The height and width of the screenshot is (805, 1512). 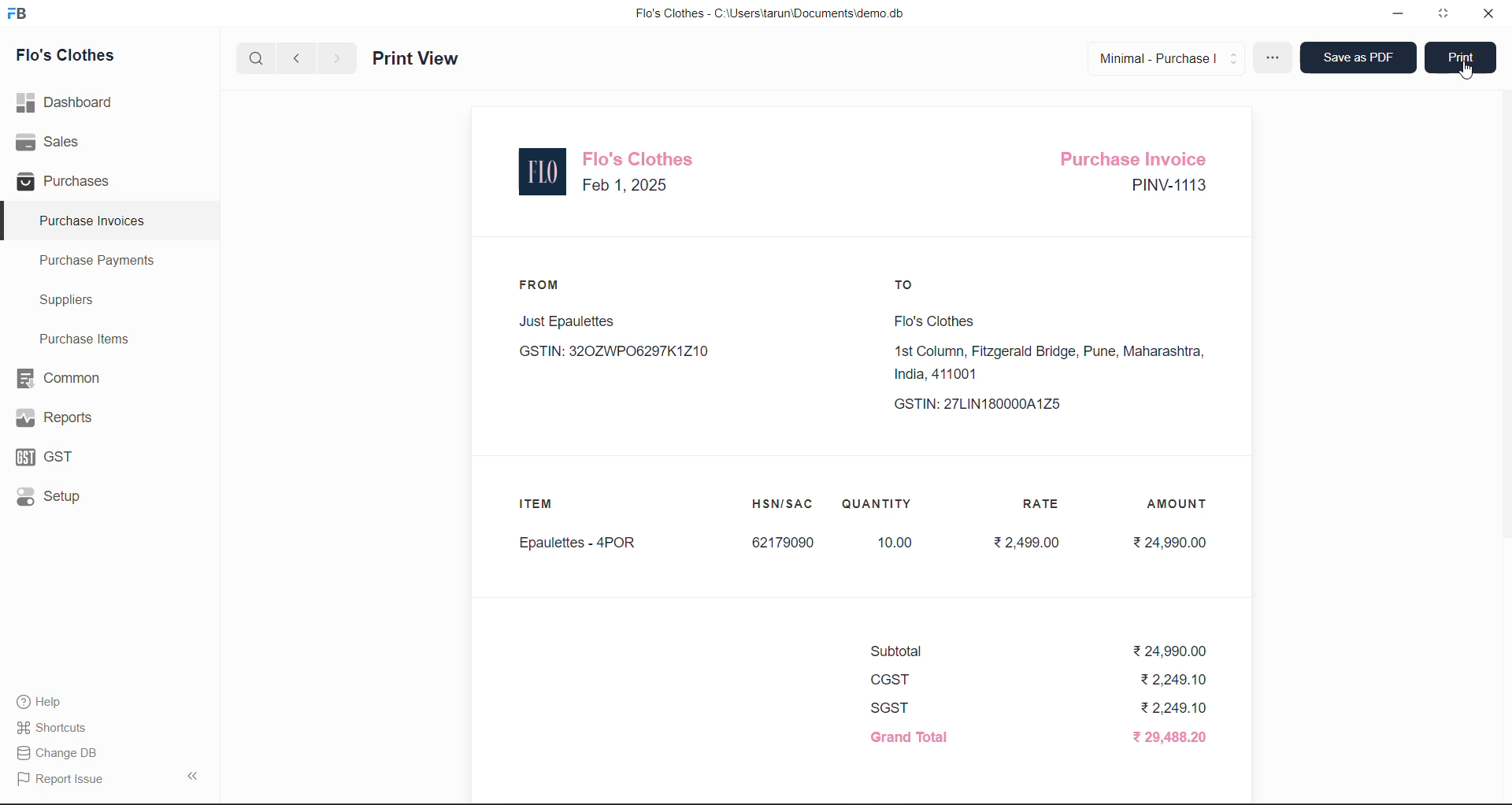 What do you see at coordinates (769, 15) in the screenshot?
I see `Flo's Clothes - C:\Users\tarun\Documents\demo.db` at bounding box center [769, 15].